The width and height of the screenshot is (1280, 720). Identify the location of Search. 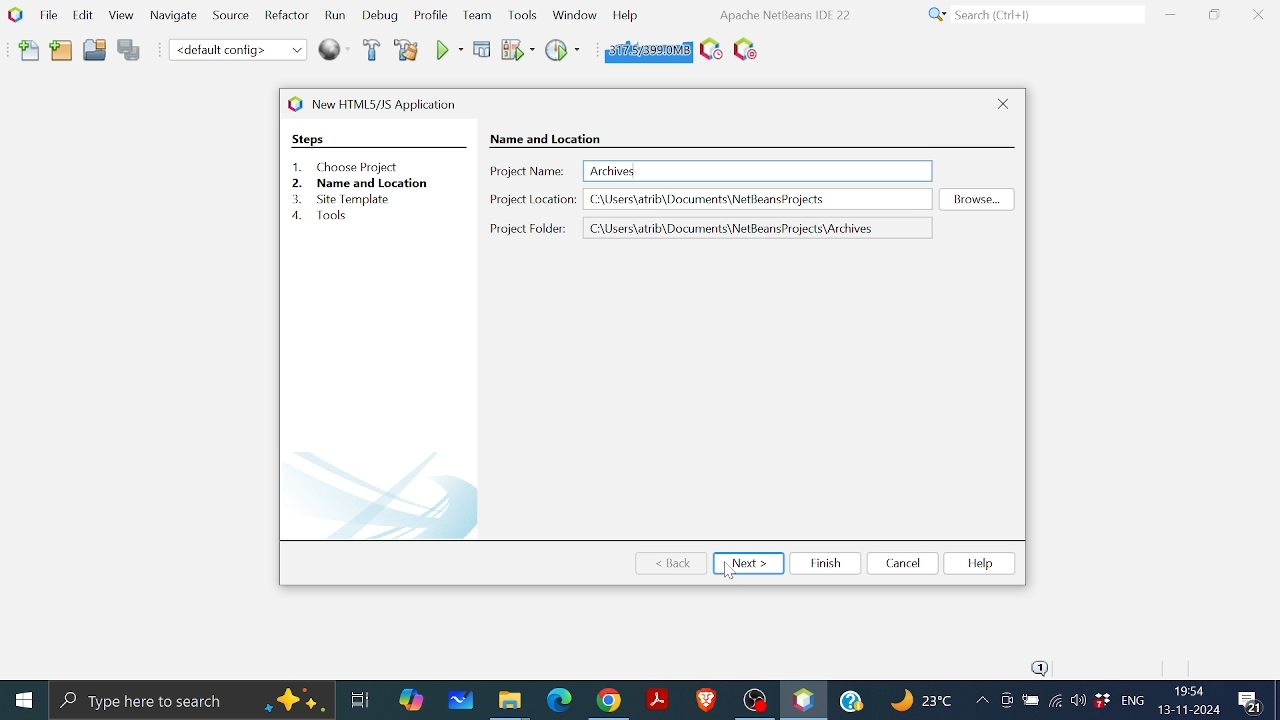
(1032, 15).